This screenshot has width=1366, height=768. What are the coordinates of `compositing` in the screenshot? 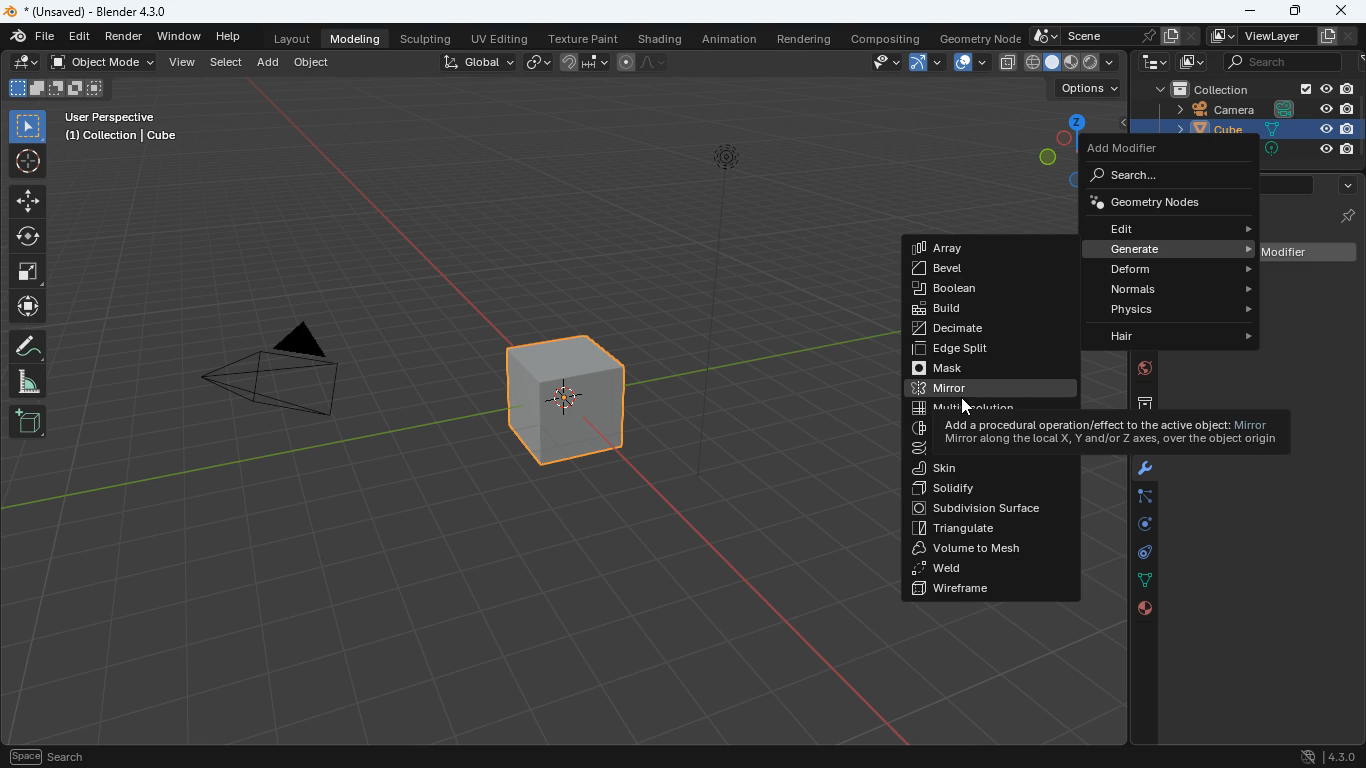 It's located at (887, 38).